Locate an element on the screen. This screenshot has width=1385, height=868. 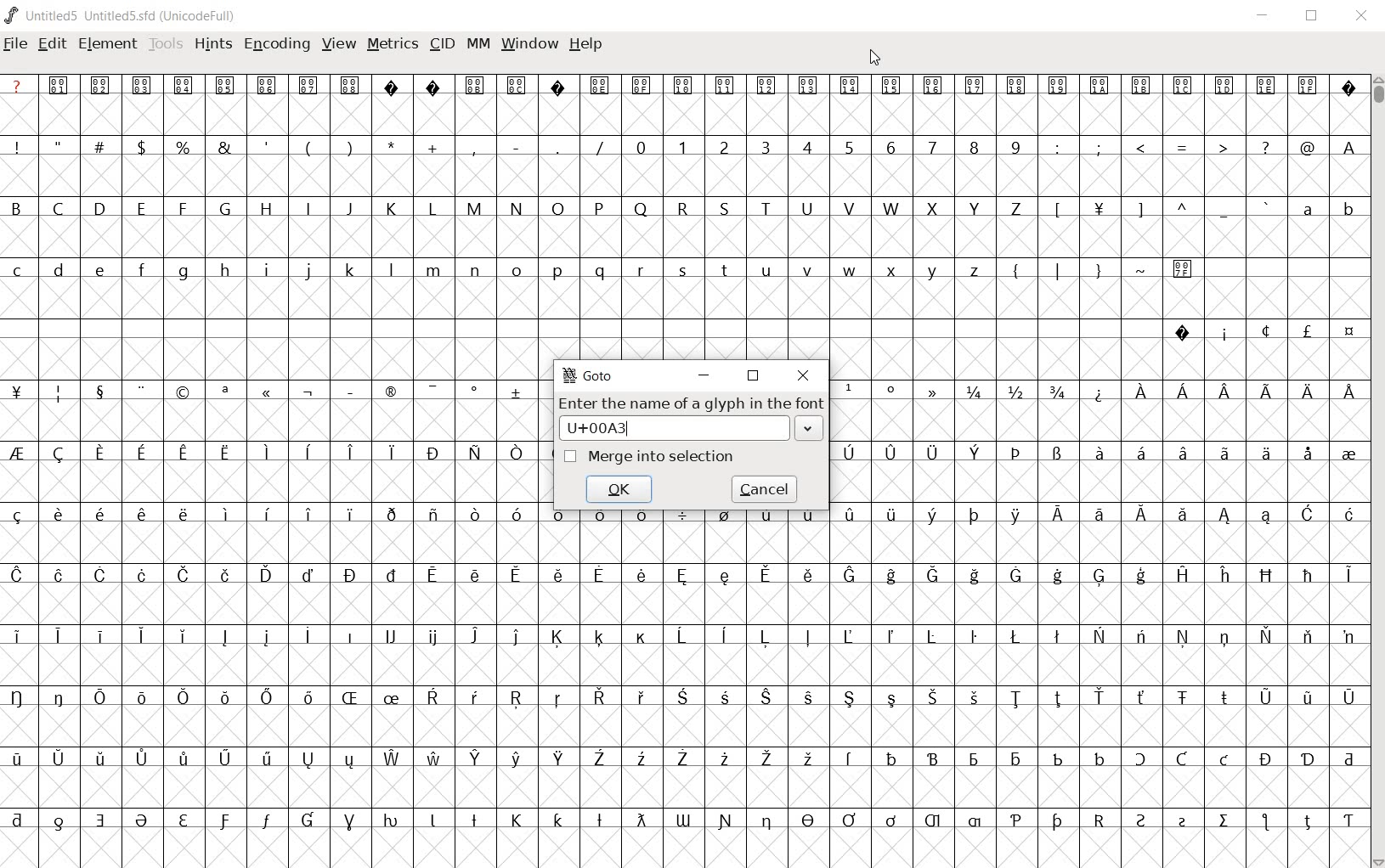
Symbol is located at coordinates (59, 454).